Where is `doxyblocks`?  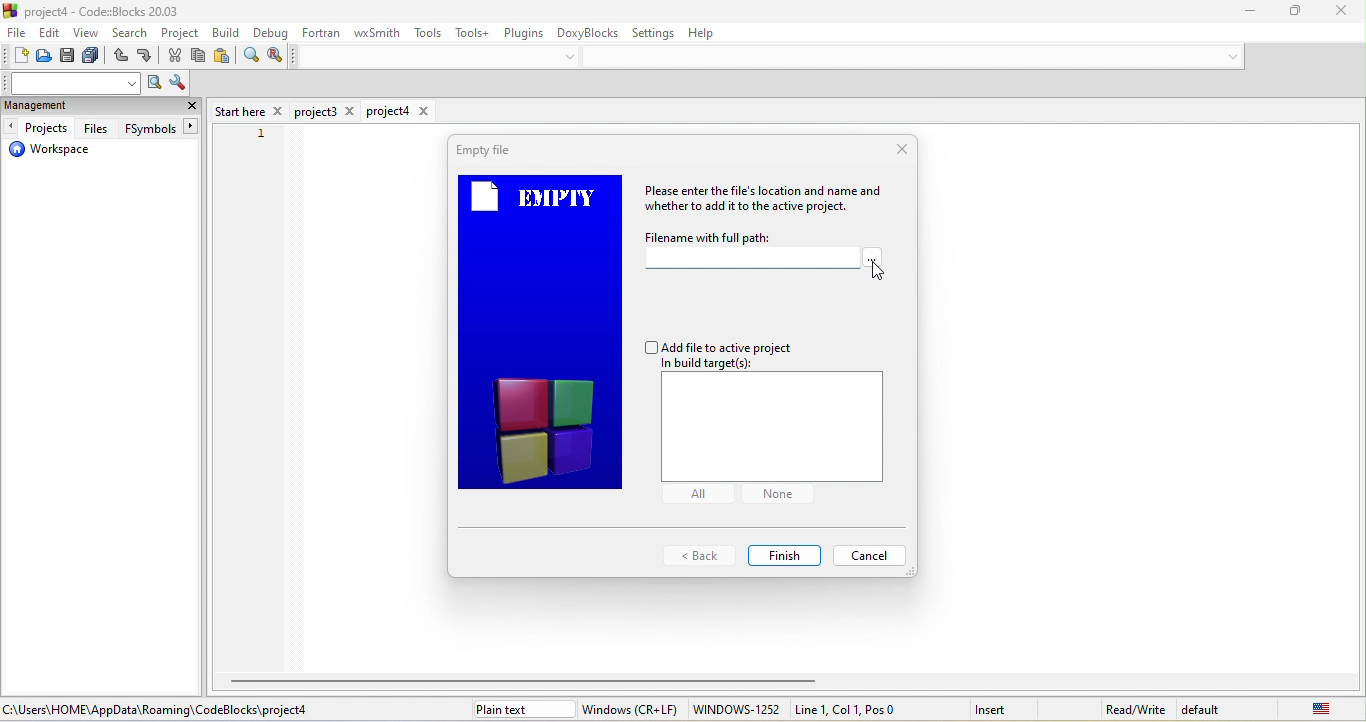
doxyblocks is located at coordinates (588, 31).